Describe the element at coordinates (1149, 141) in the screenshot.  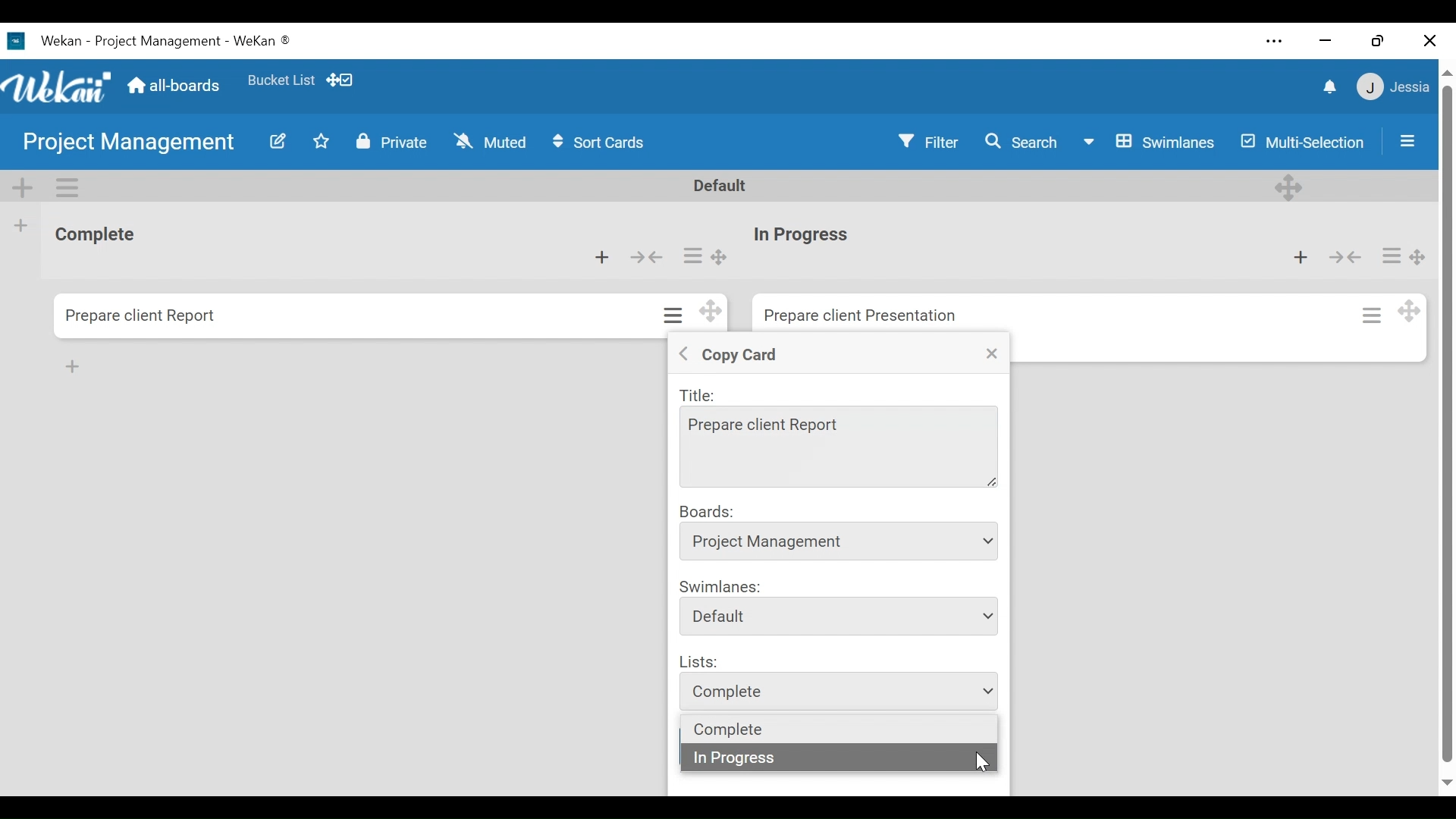
I see `Board View` at that location.